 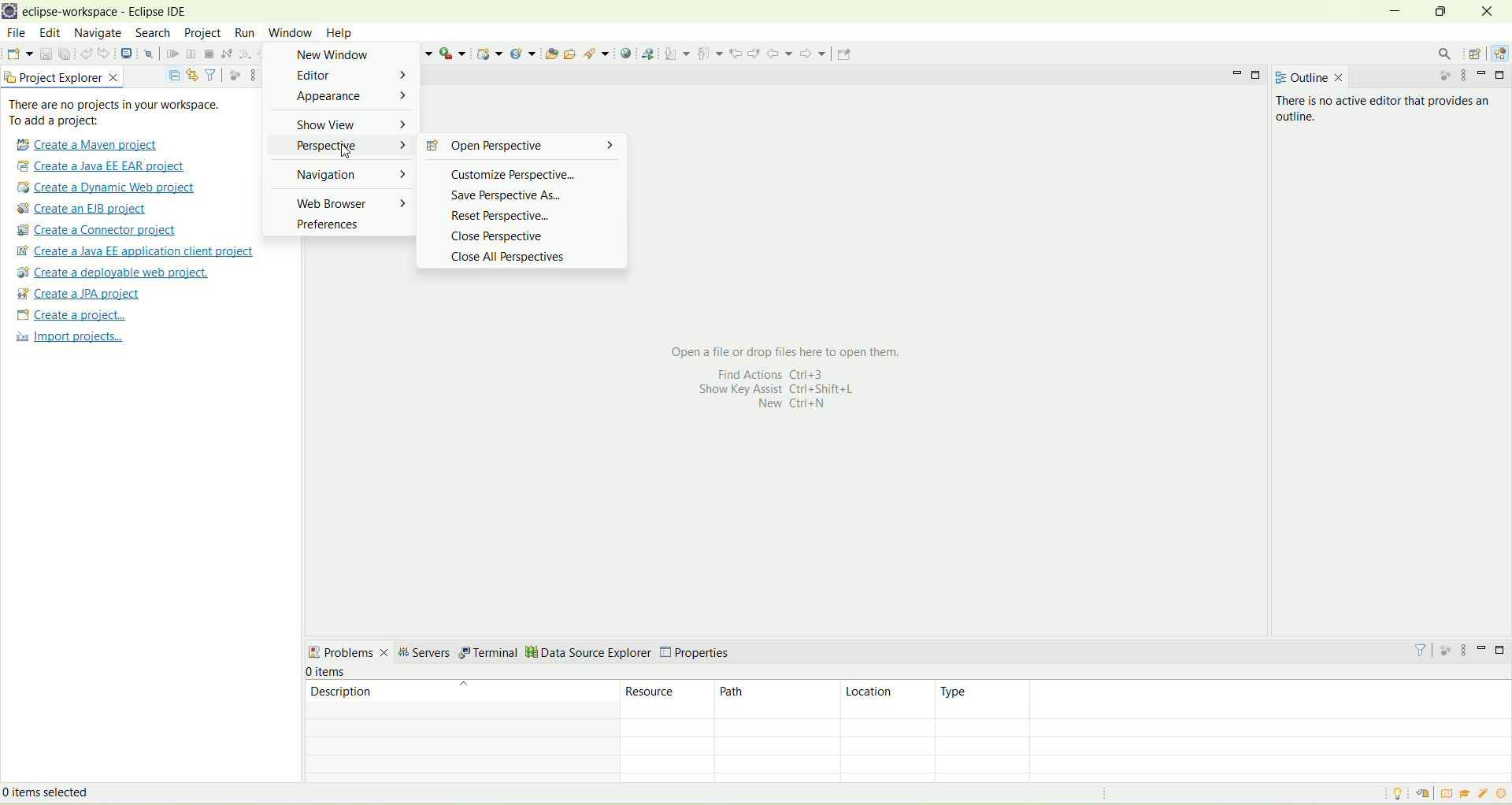 What do you see at coordinates (1429, 795) in the screenshot?
I see `restore welcome` at bounding box center [1429, 795].